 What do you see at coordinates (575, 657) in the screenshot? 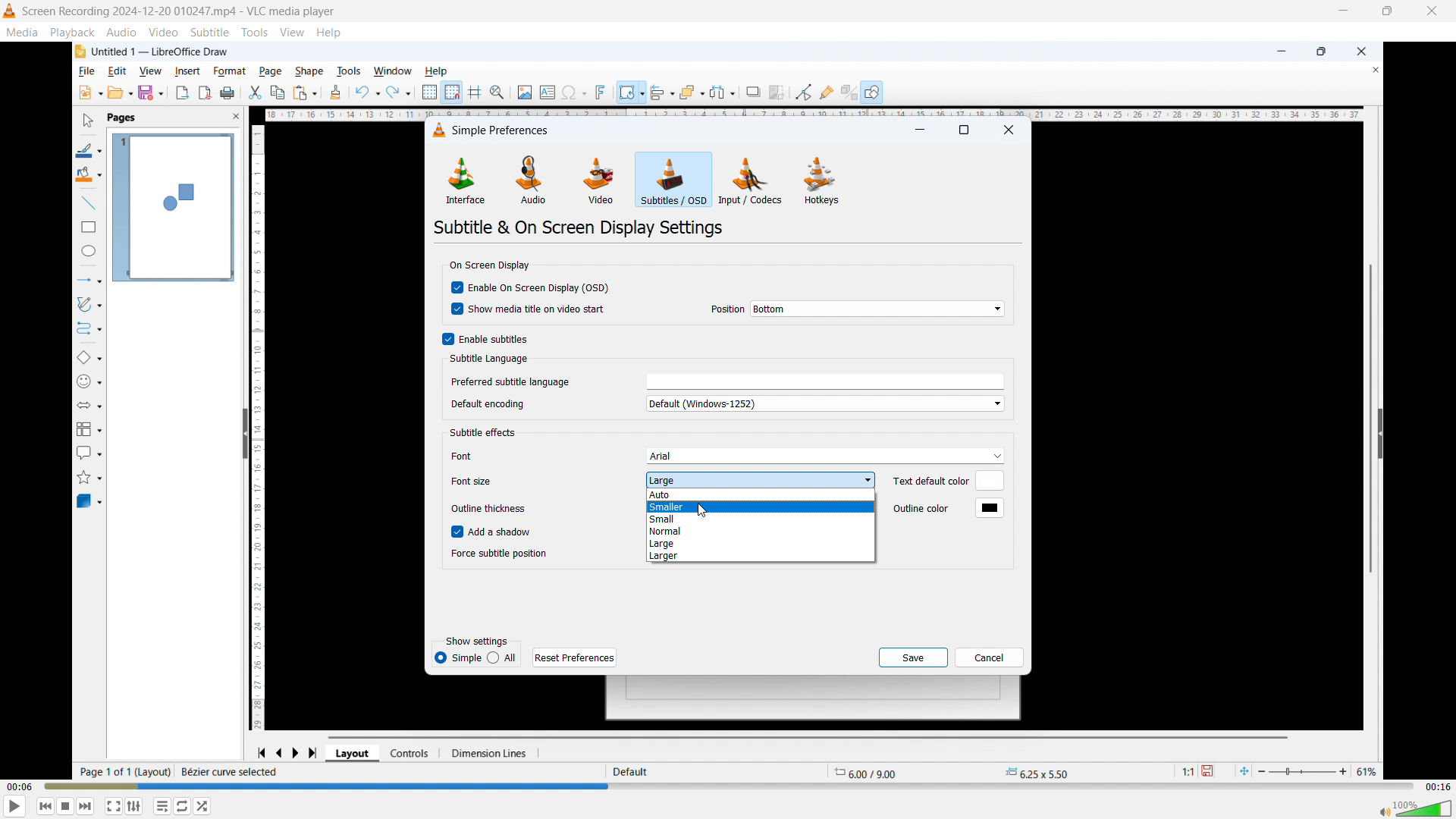
I see `Reset preferences` at bounding box center [575, 657].